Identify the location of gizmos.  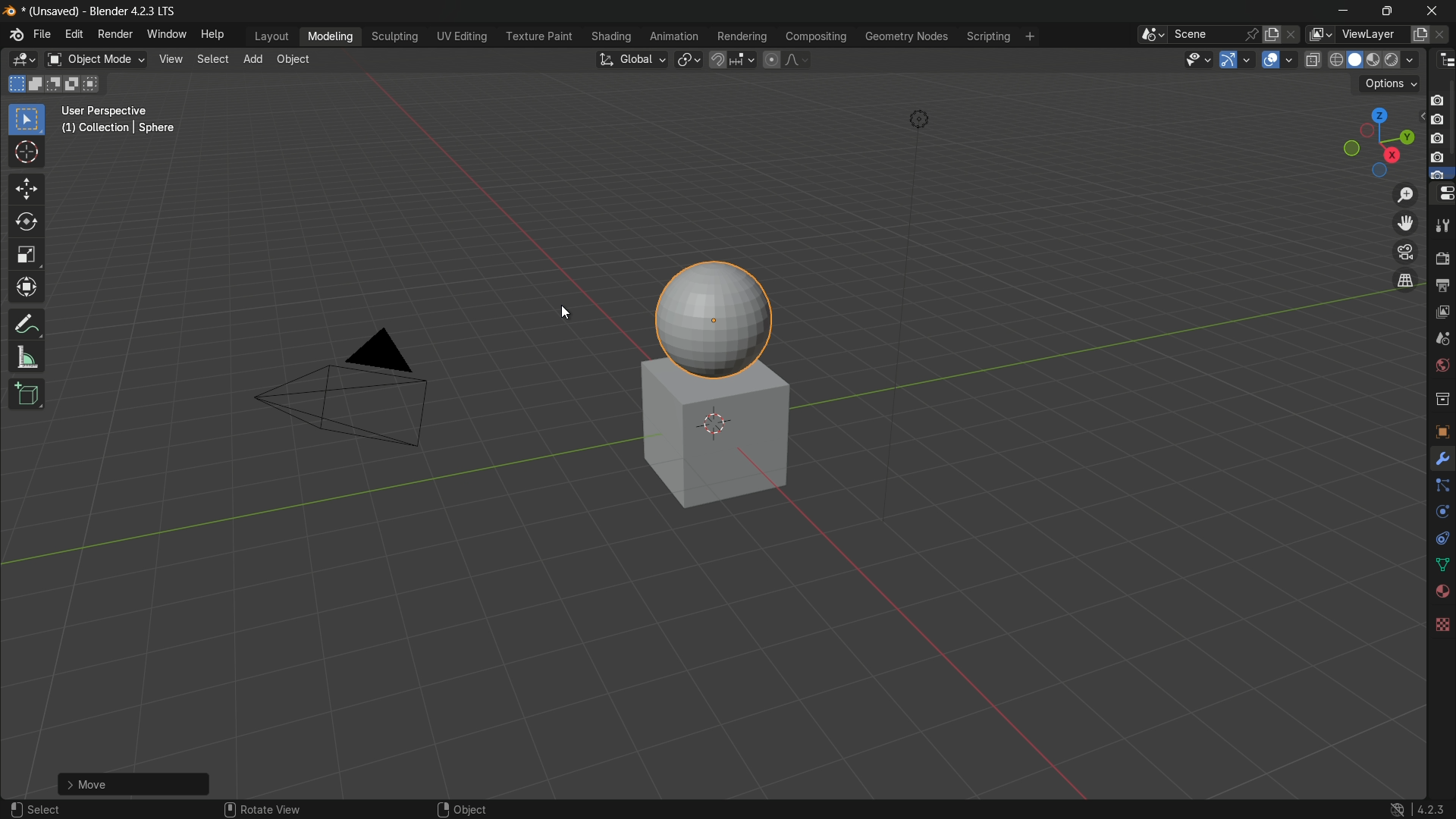
(1250, 58).